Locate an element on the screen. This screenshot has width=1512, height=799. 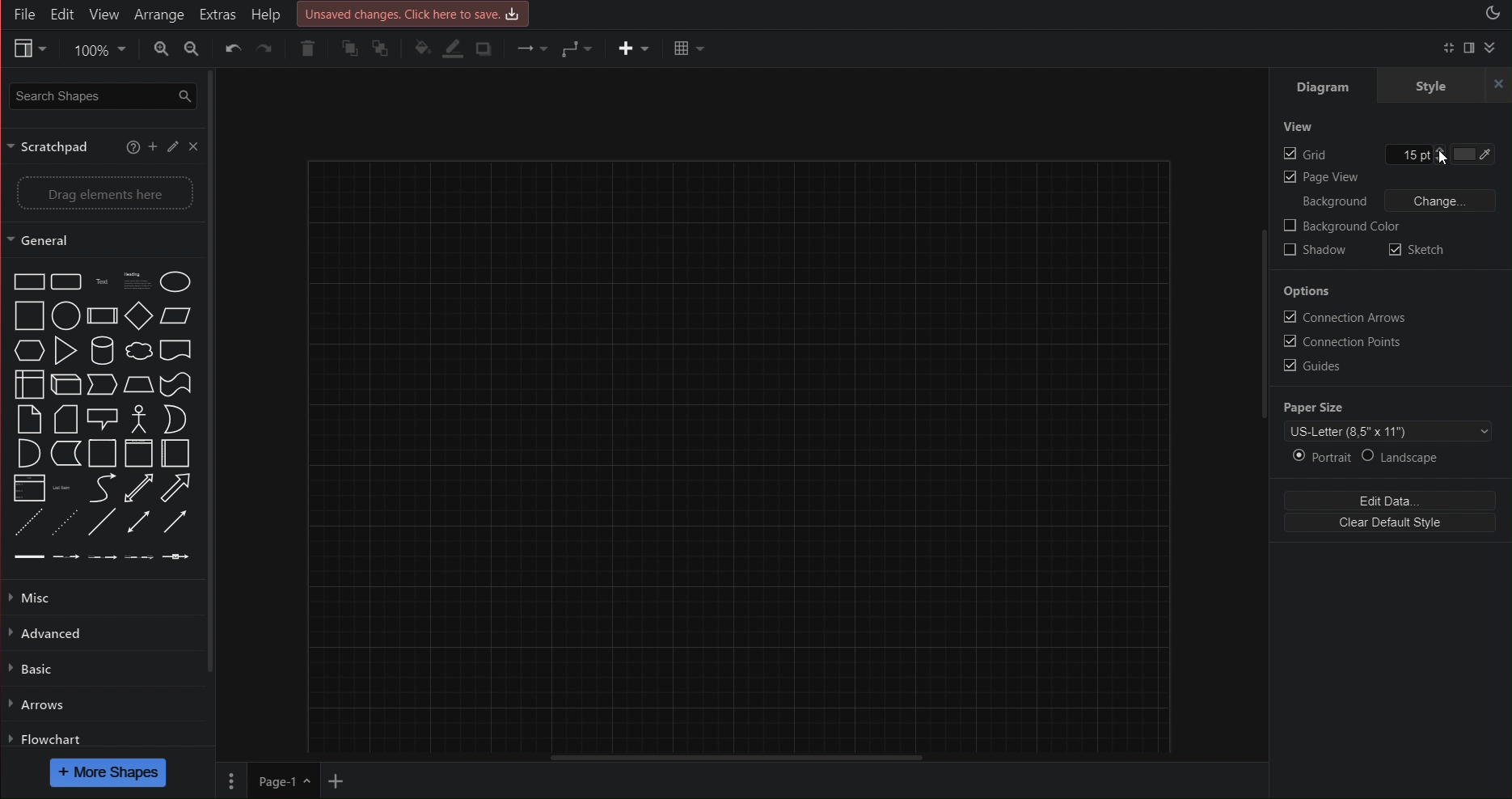
arrow is located at coordinates (101, 380).